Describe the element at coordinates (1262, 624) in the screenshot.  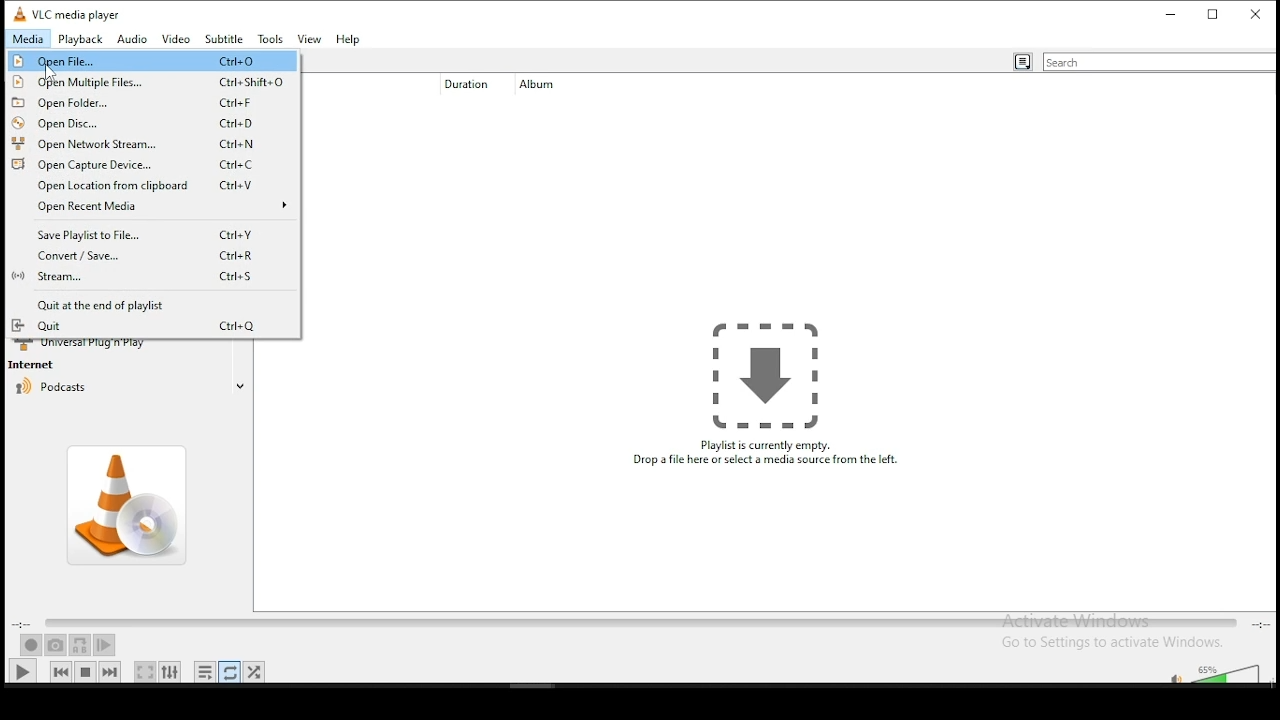
I see `total/remaining time` at that location.